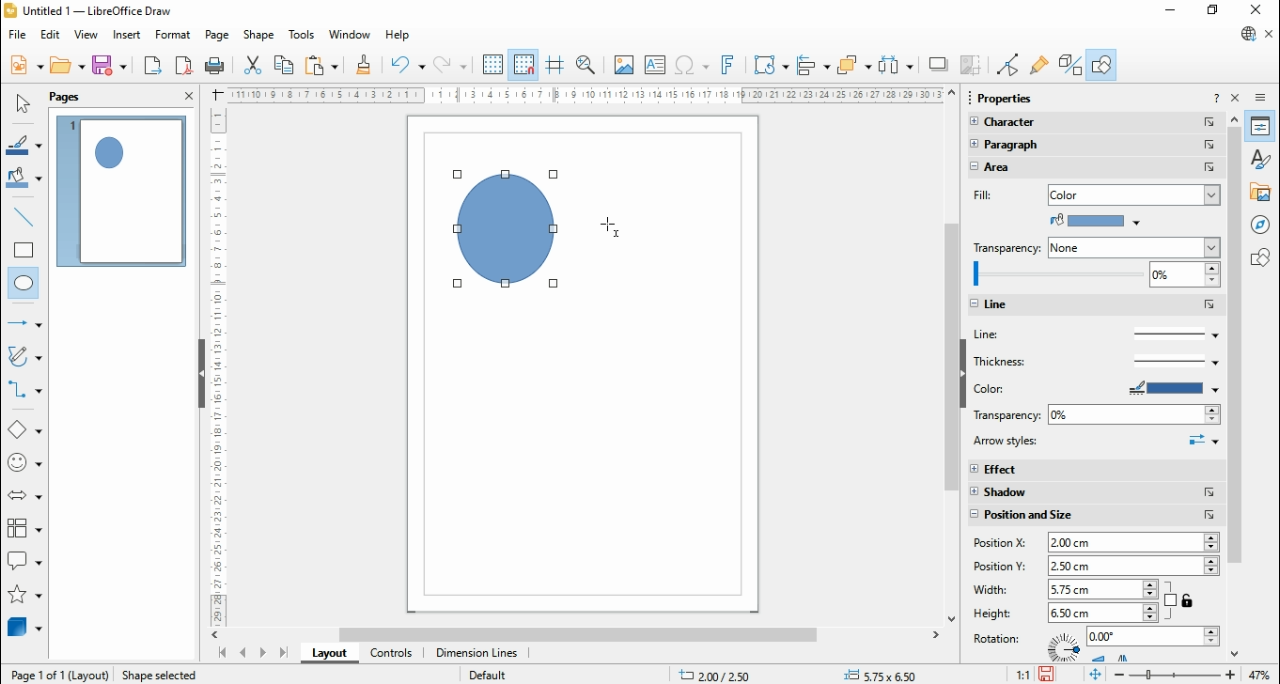 This screenshot has height=684, width=1280. What do you see at coordinates (1096, 220) in the screenshot?
I see `paint bucket color` at bounding box center [1096, 220].